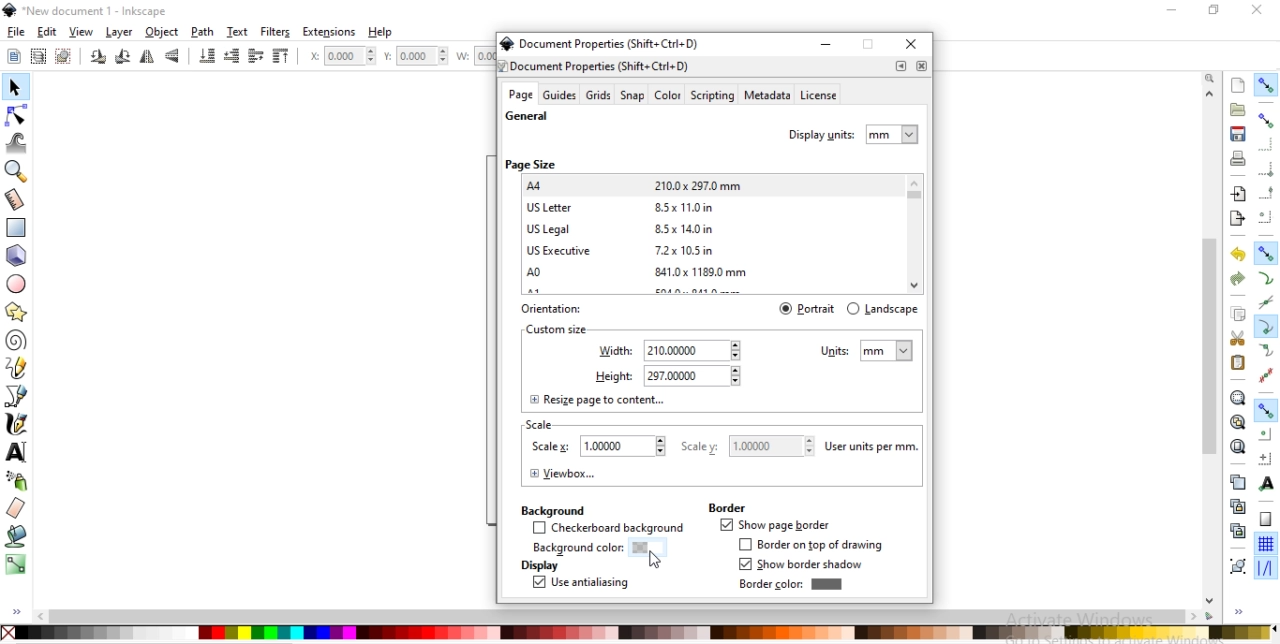 The width and height of the screenshot is (1280, 644). What do you see at coordinates (1237, 446) in the screenshot?
I see `zoom to fit page` at bounding box center [1237, 446].